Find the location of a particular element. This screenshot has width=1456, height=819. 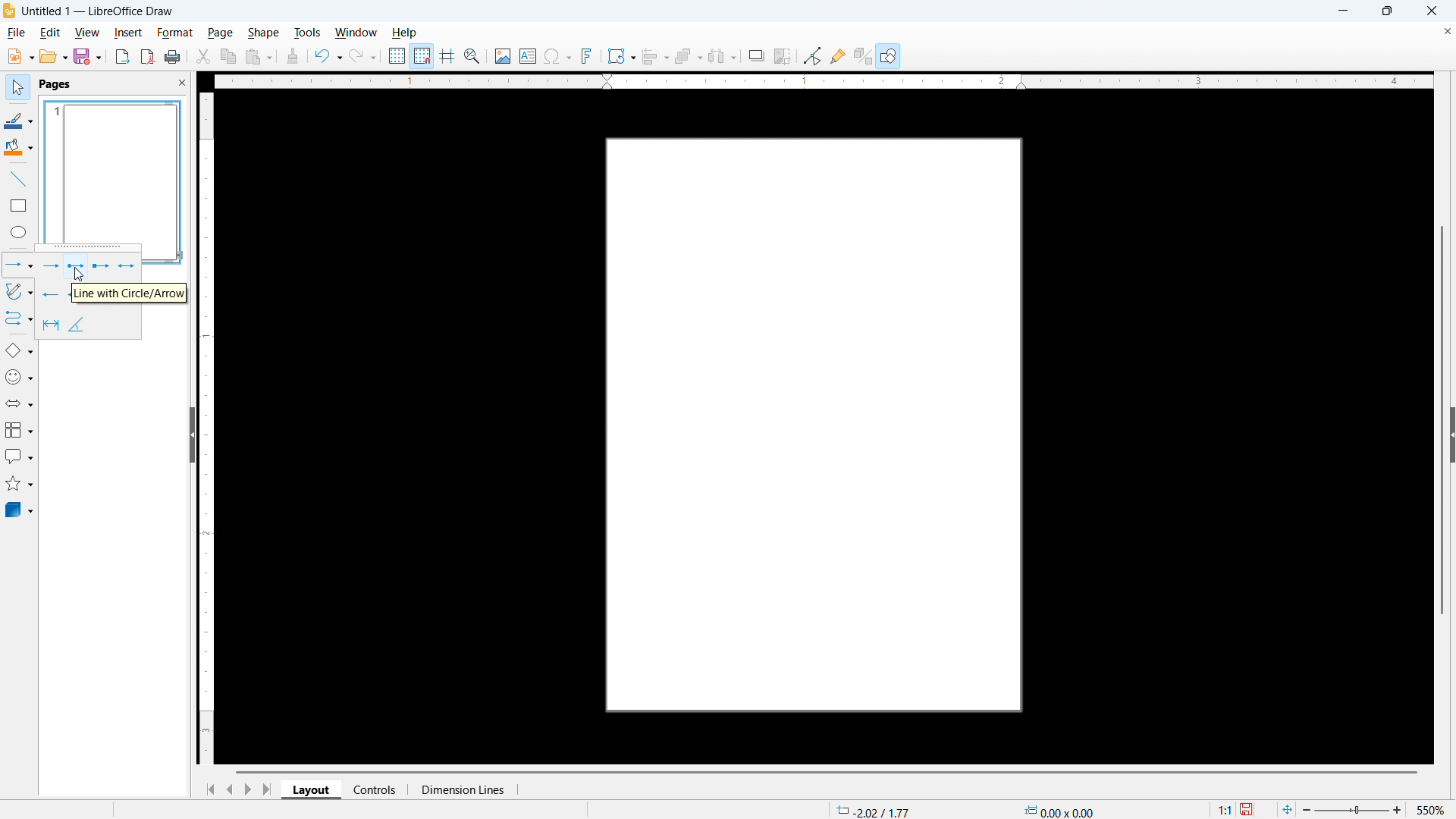

Page  is located at coordinates (867, 425).